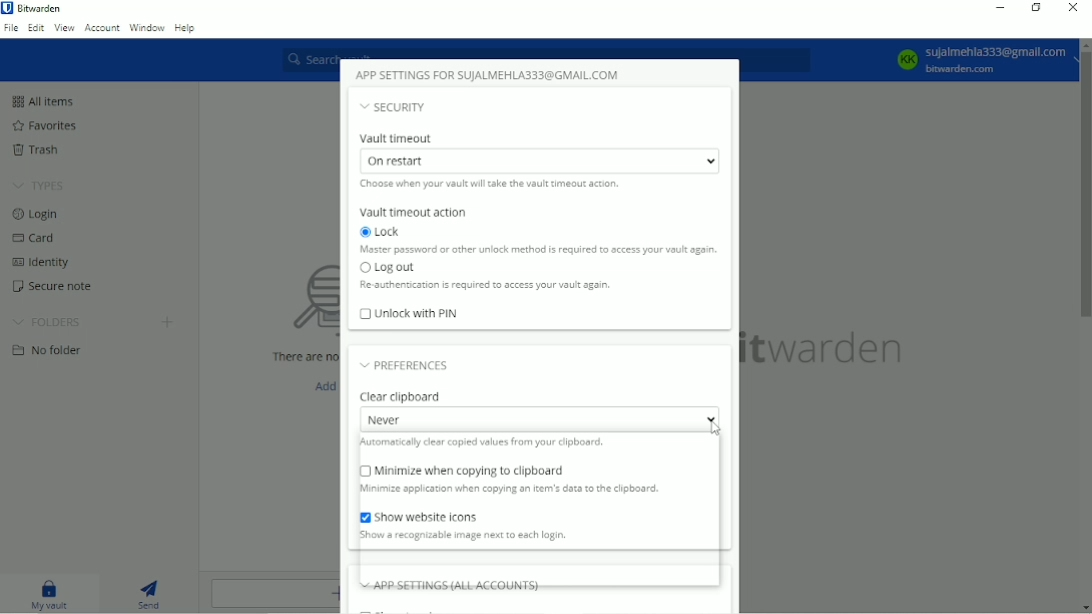  Describe the element at coordinates (411, 315) in the screenshot. I see `Unlock with PIN` at that location.